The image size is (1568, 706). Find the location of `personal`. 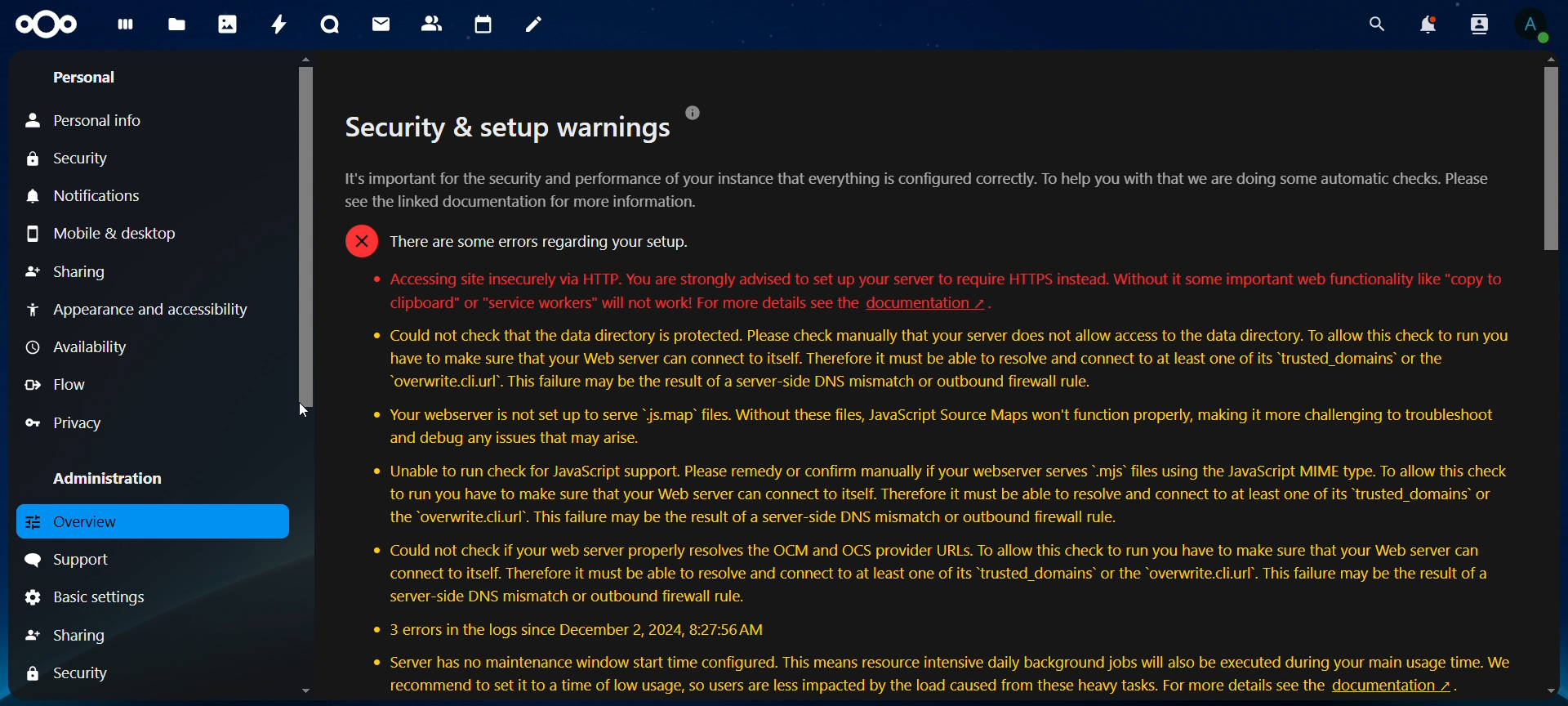

personal is located at coordinates (83, 78).